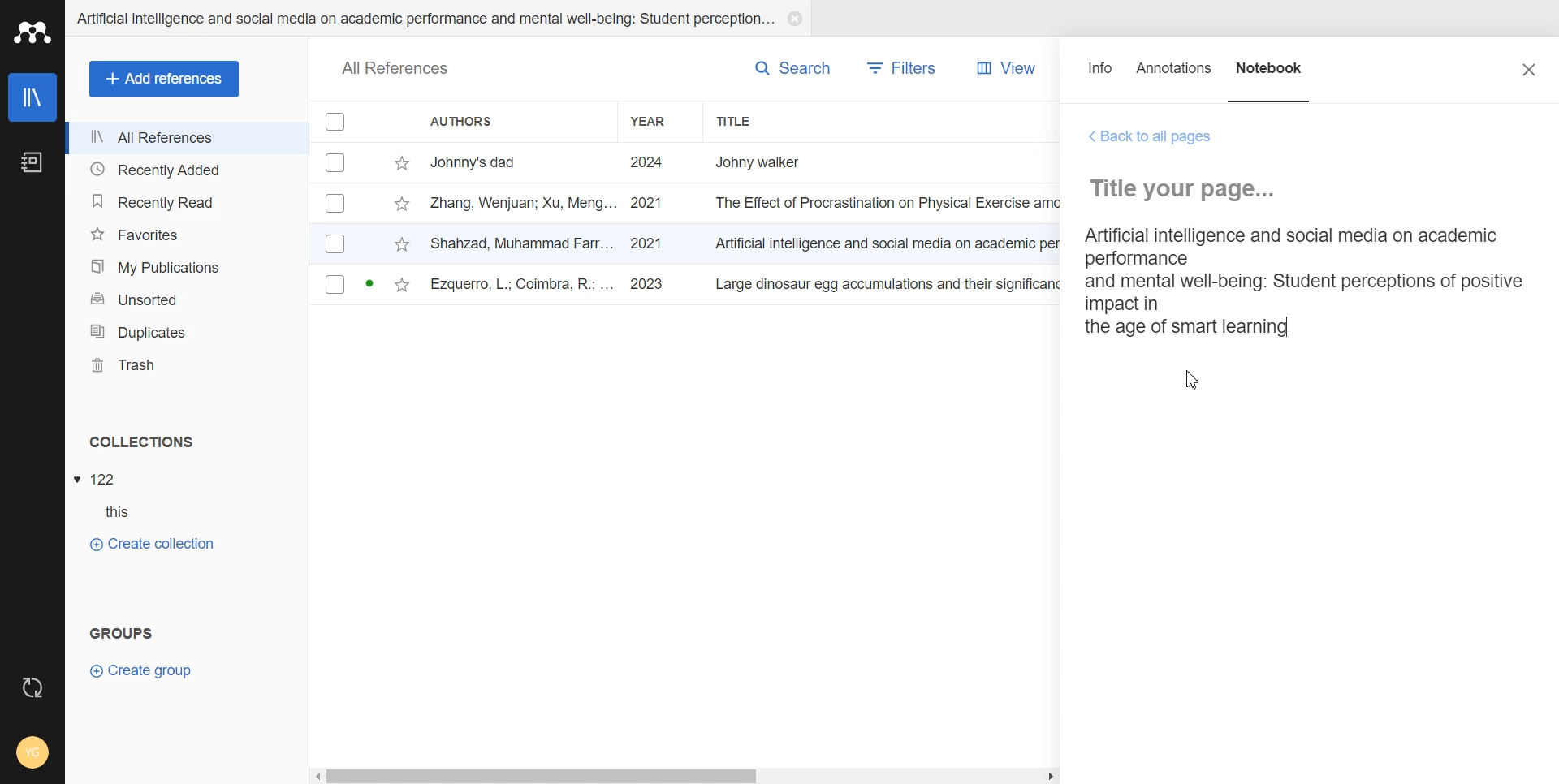 The width and height of the screenshot is (1559, 784). What do you see at coordinates (185, 203) in the screenshot?
I see `Recently Read` at bounding box center [185, 203].